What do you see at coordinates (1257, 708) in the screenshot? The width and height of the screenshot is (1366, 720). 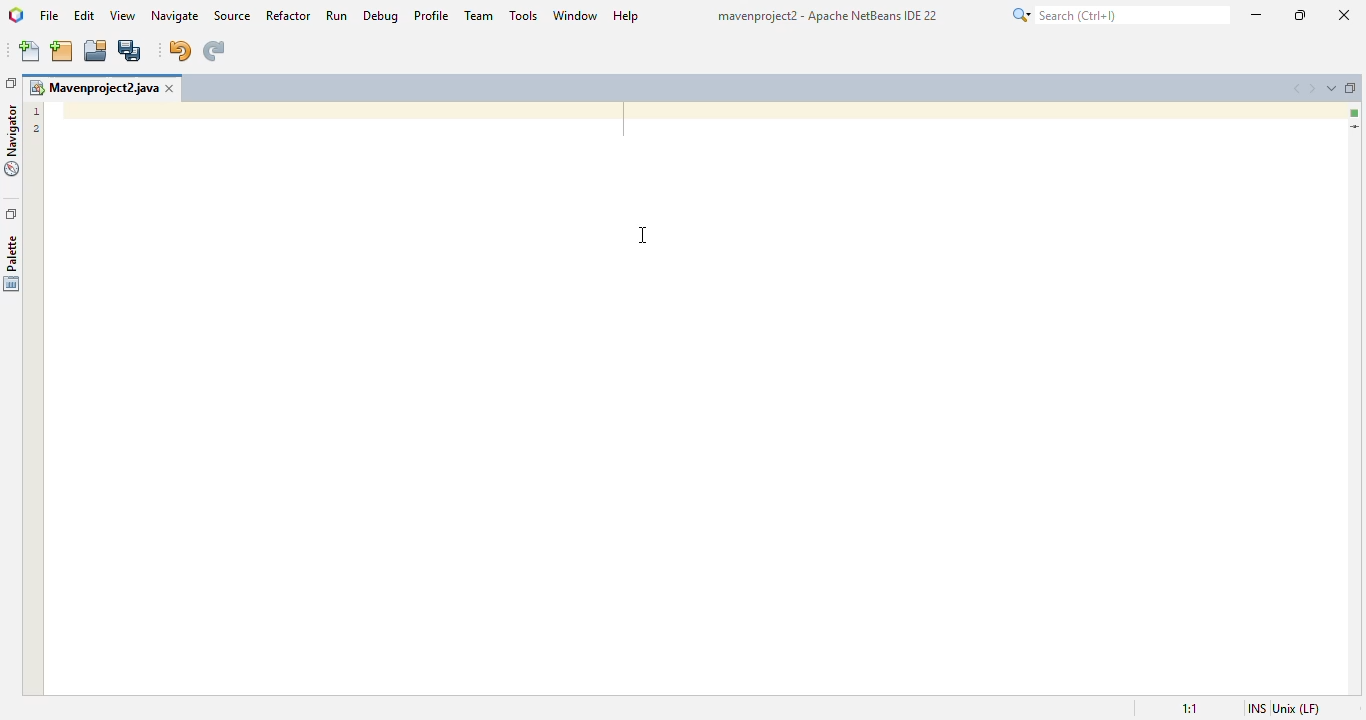 I see `insert mode` at bounding box center [1257, 708].